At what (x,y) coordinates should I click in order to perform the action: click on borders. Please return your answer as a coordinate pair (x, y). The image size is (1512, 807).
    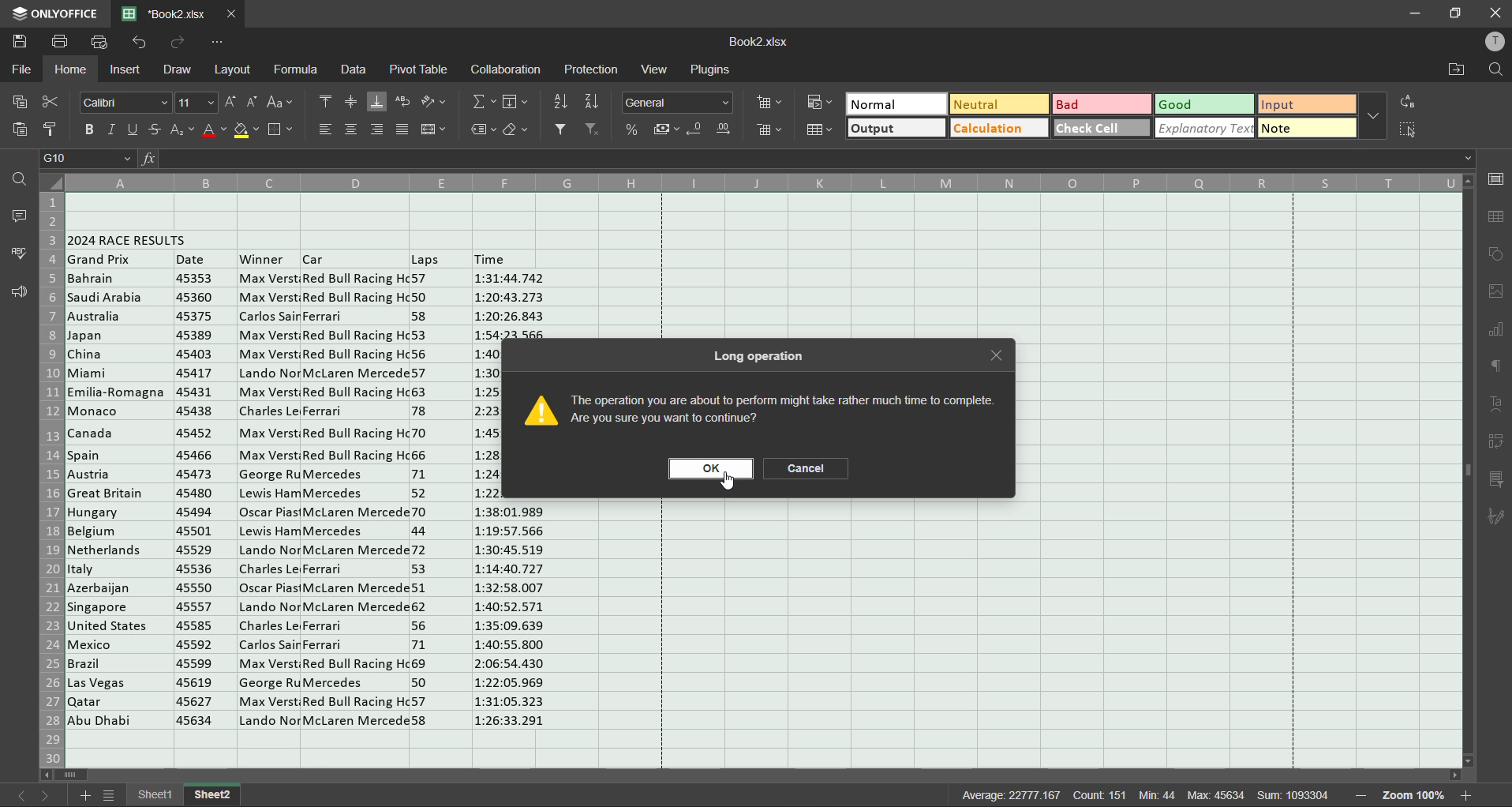
    Looking at the image, I should click on (282, 132).